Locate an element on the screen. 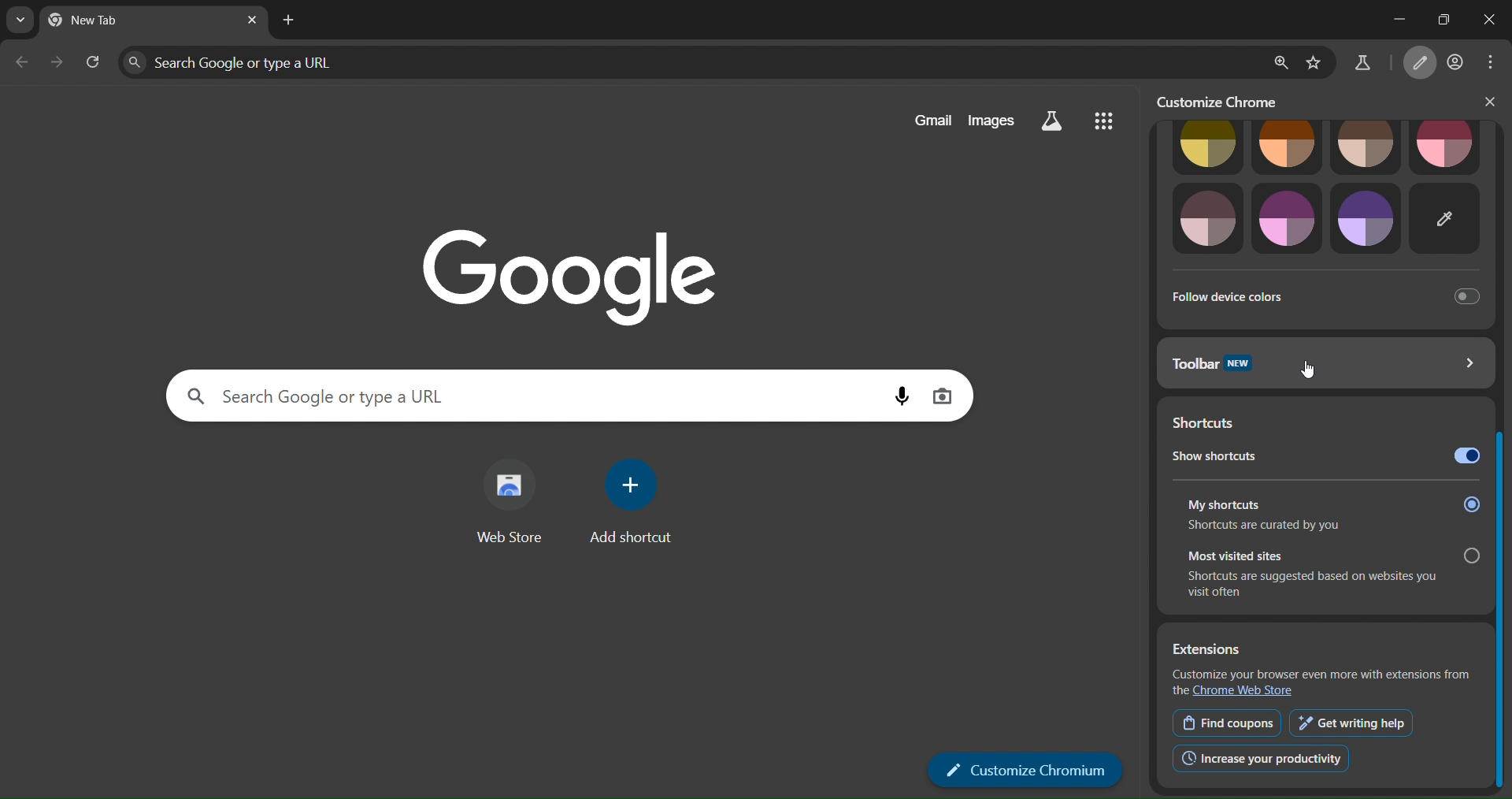 The height and width of the screenshot is (799, 1512). restore down is located at coordinates (1440, 17).